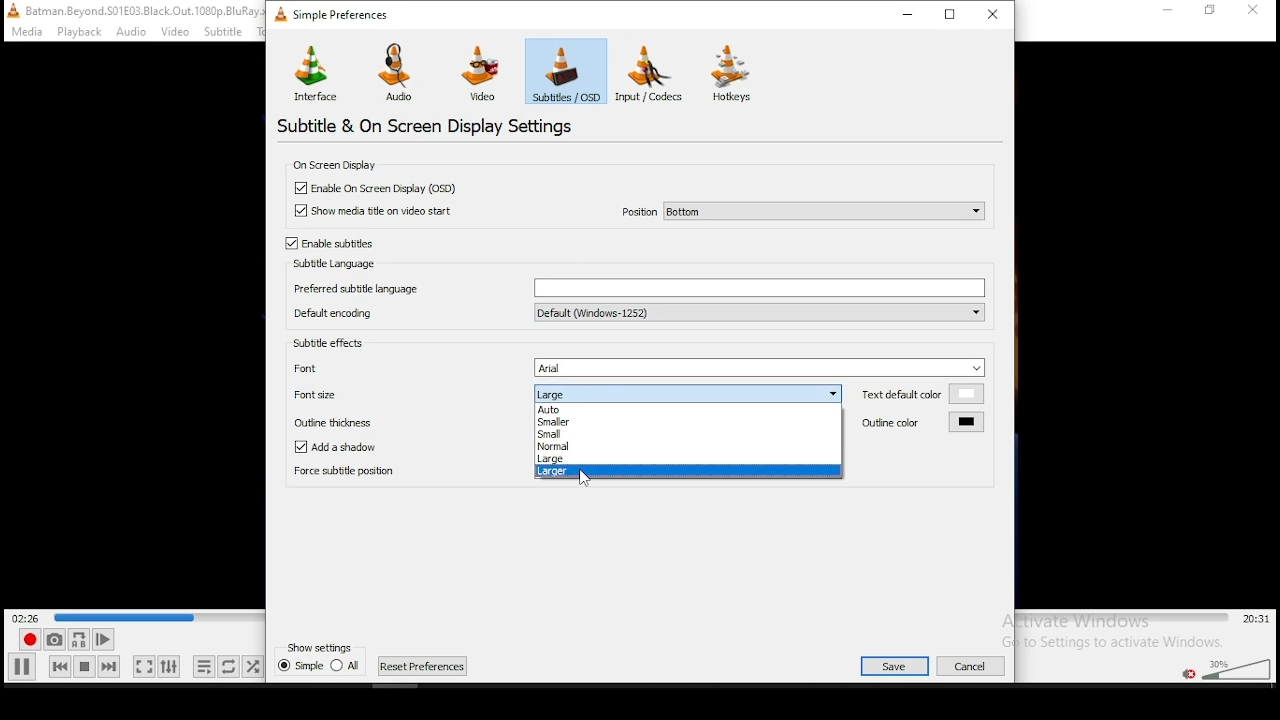 The width and height of the screenshot is (1280, 720). I want to click on random, so click(253, 667).